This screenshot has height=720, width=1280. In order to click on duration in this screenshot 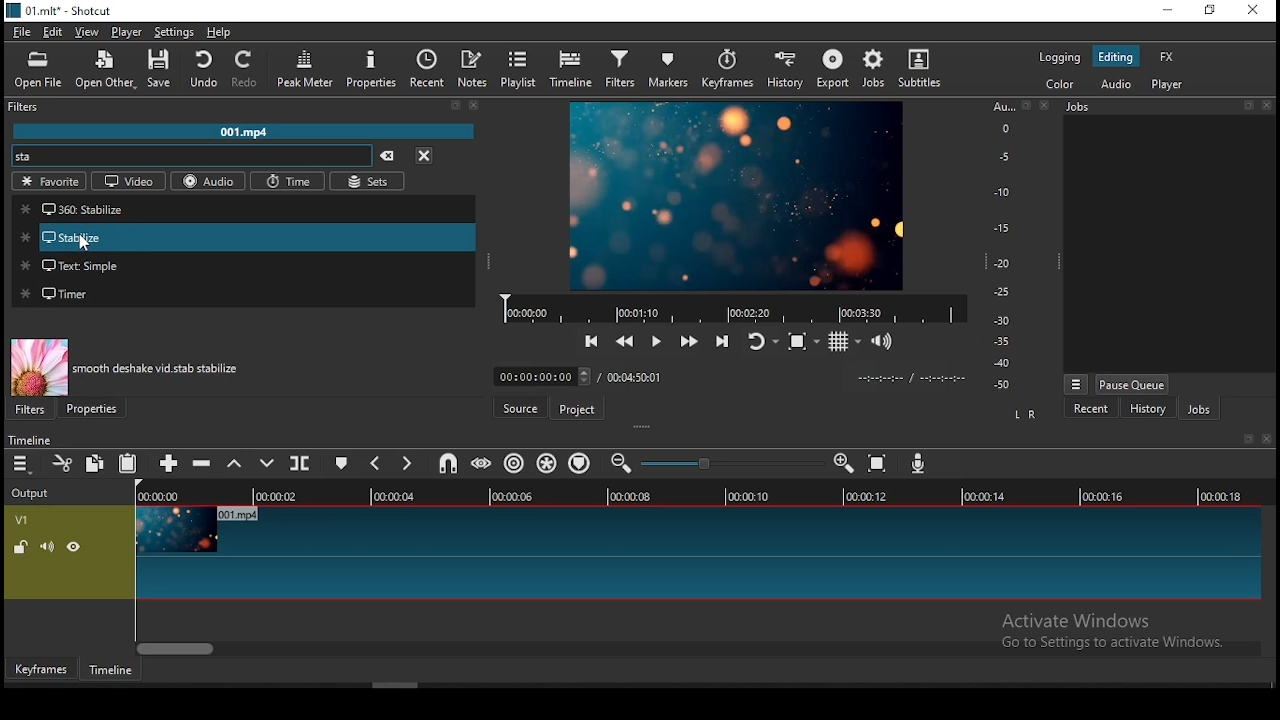, I will do `click(573, 376)`.